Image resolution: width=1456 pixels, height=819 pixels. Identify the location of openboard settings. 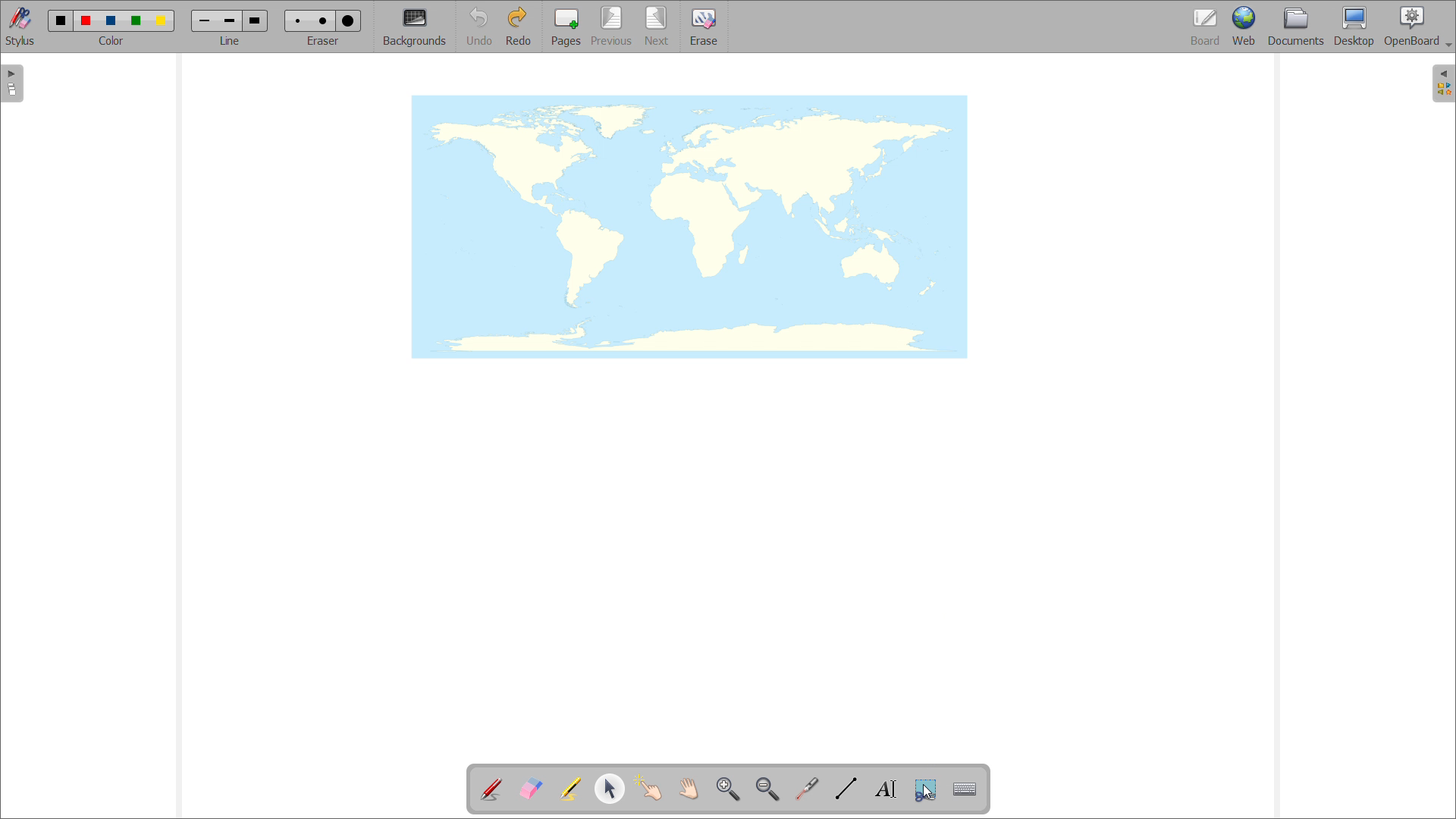
(1417, 25).